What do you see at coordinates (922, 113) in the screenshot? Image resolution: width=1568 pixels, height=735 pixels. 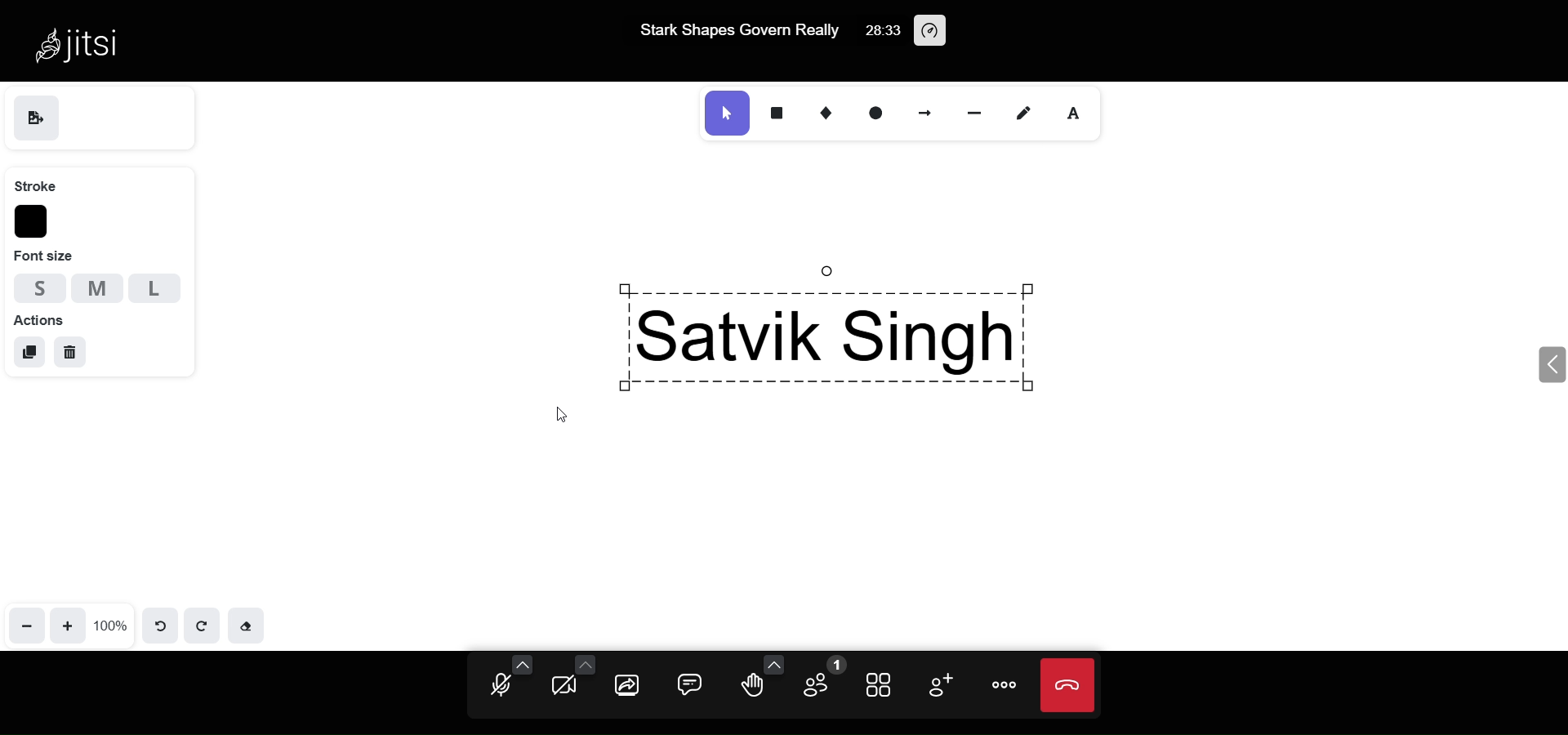 I see `arrow` at bounding box center [922, 113].